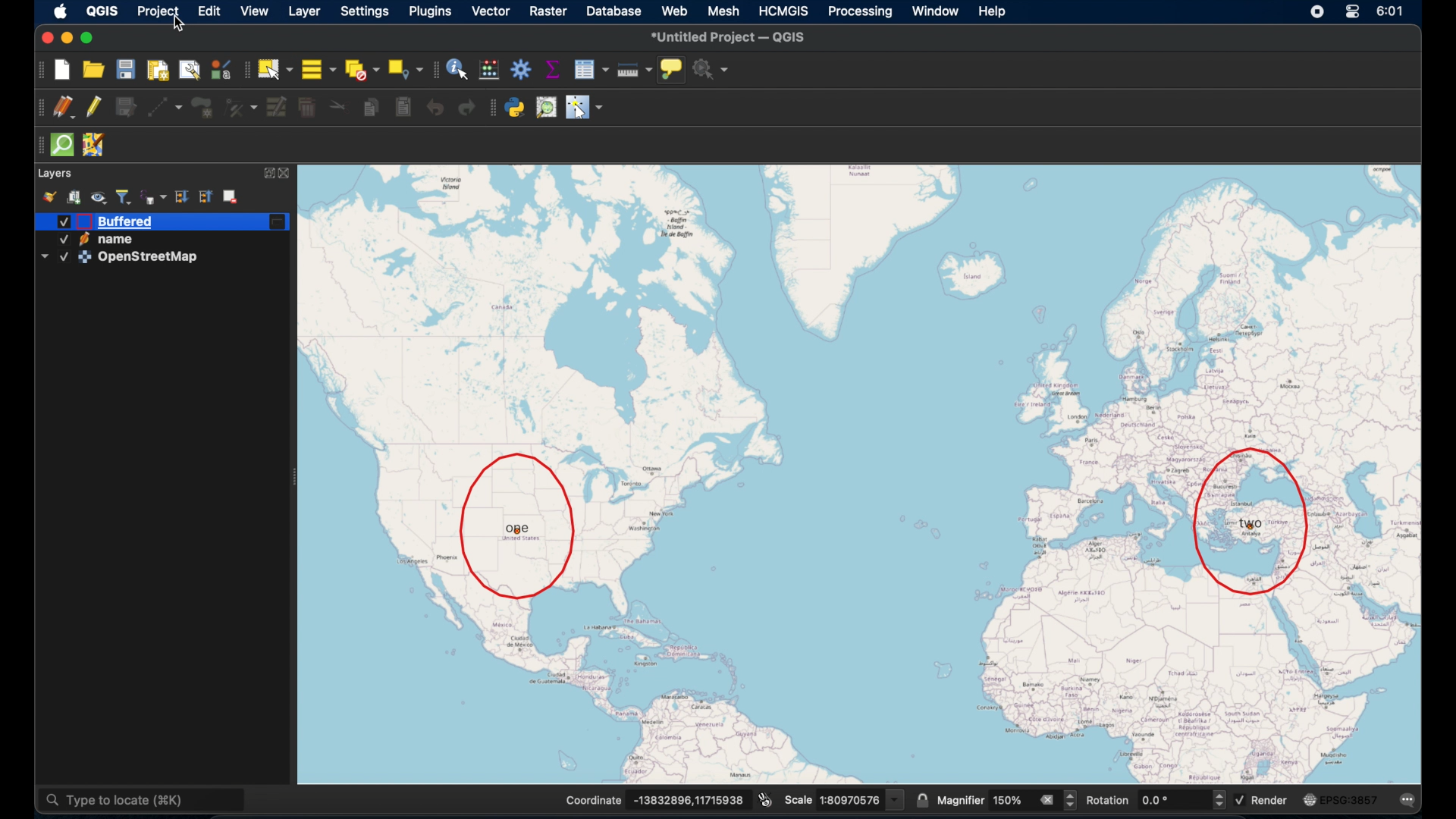 The height and width of the screenshot is (819, 1456). I want to click on cut features, so click(335, 105).